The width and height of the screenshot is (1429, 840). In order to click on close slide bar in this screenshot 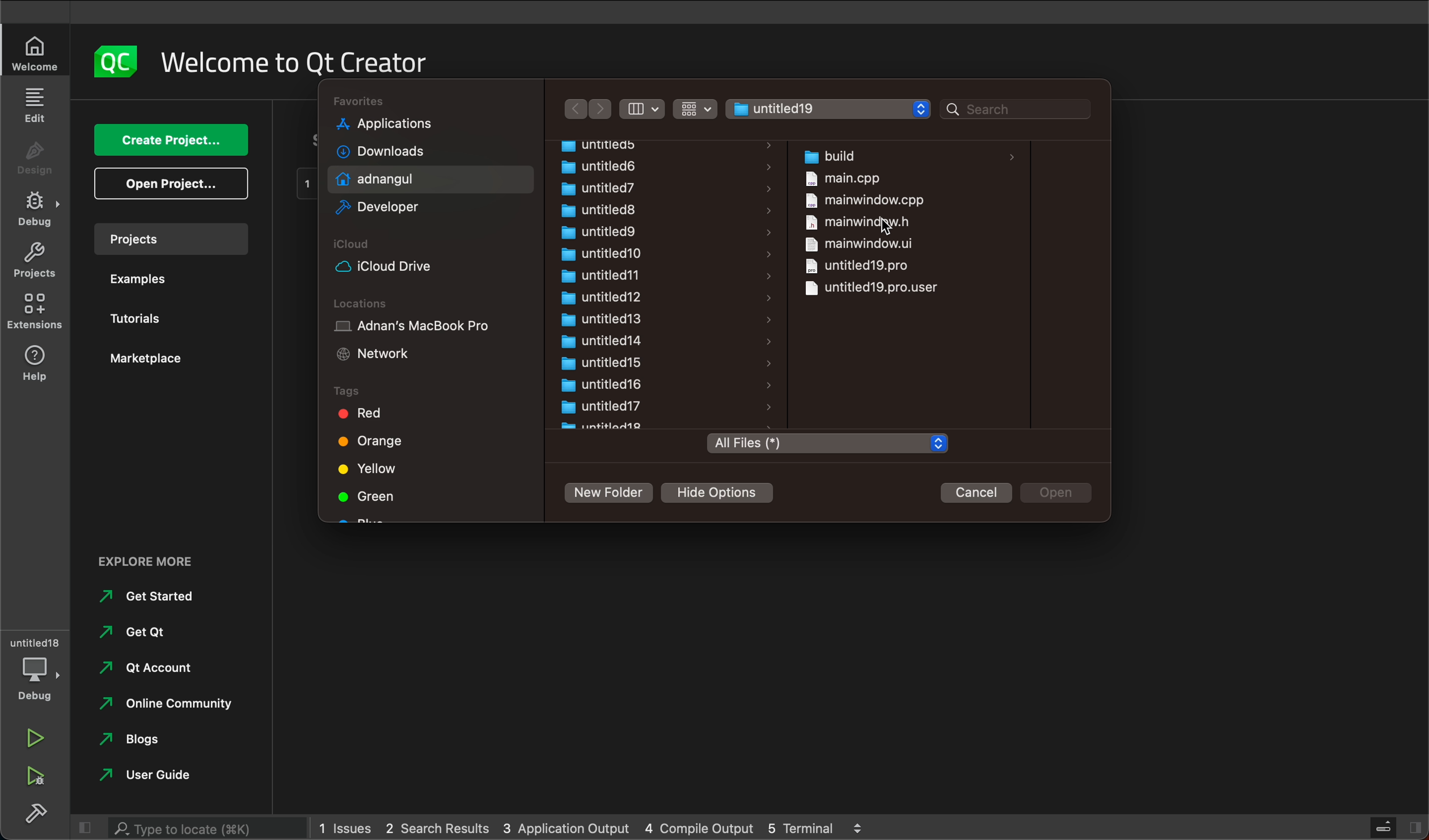, I will do `click(1396, 829)`.